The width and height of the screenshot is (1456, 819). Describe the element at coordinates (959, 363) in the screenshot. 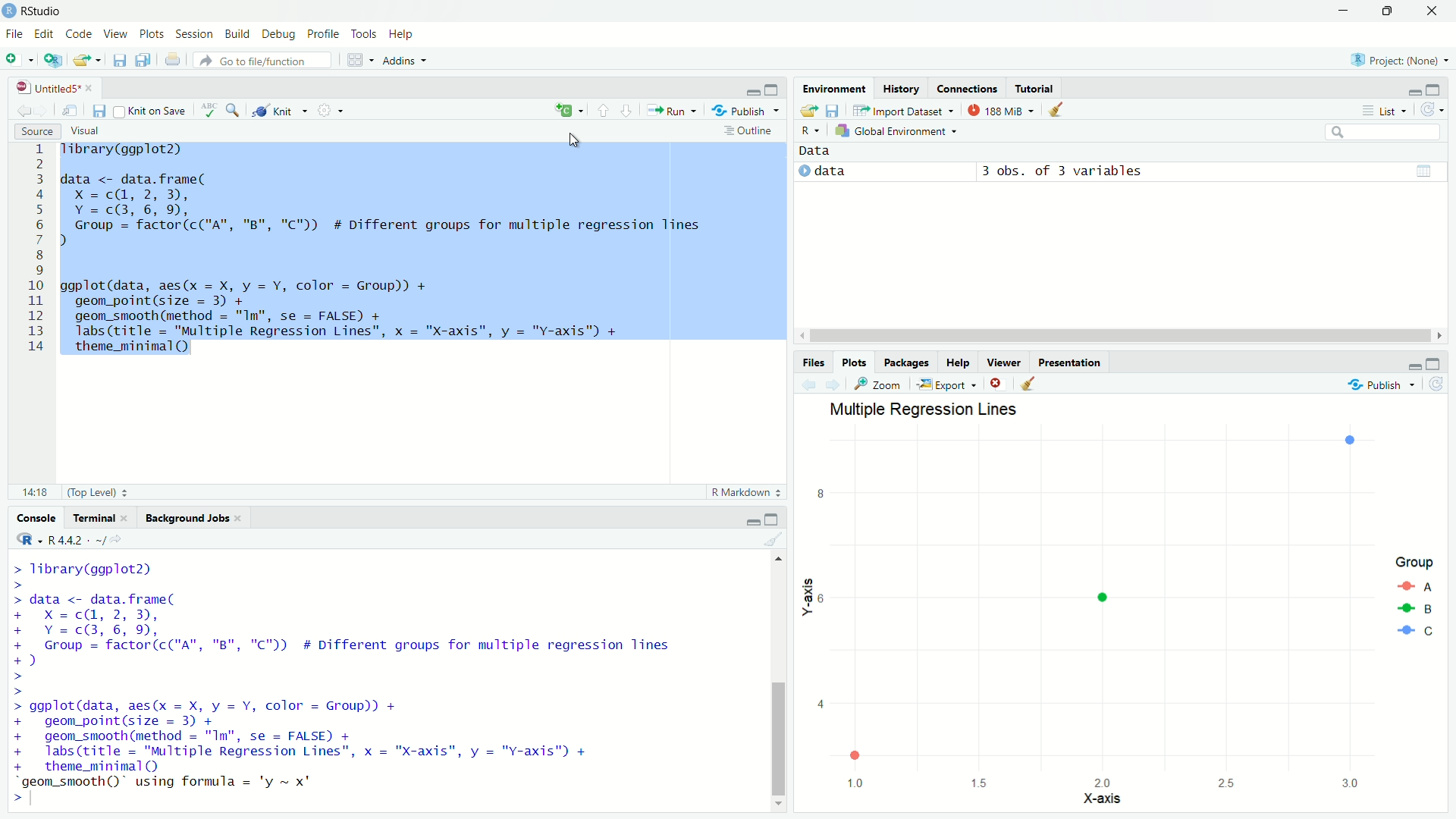

I see `Help` at that location.